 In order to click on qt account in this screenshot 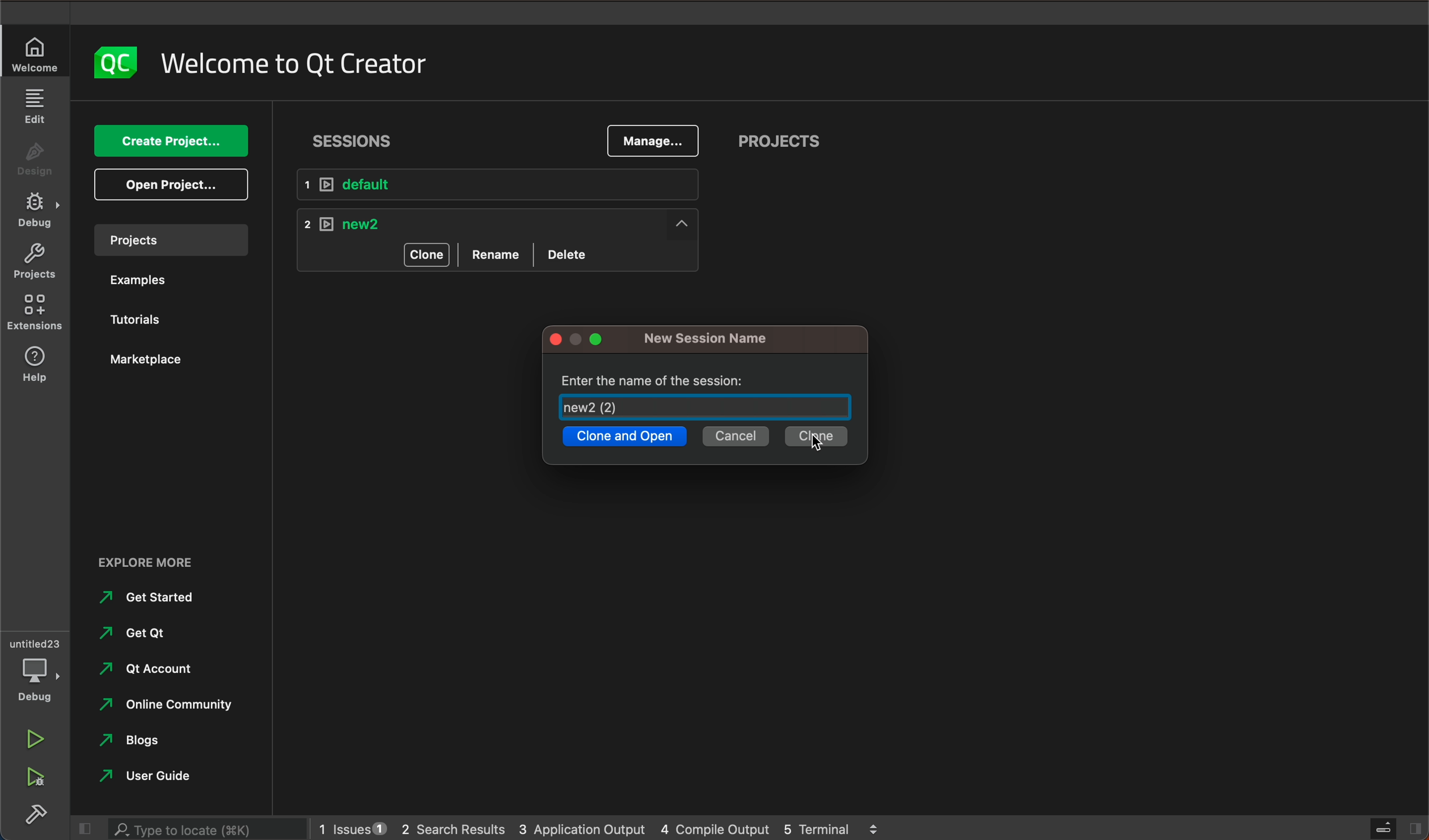, I will do `click(153, 669)`.